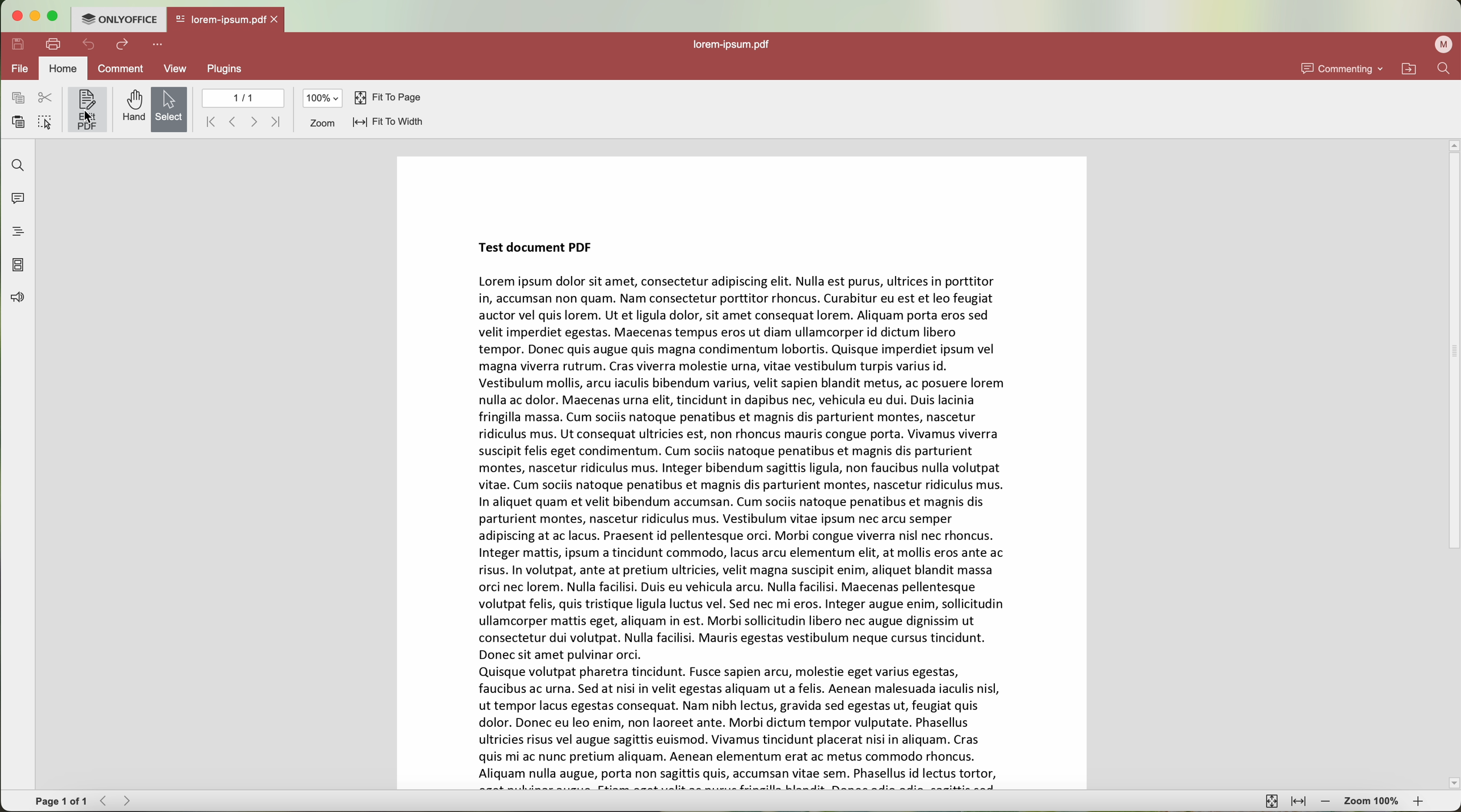 Image resolution: width=1461 pixels, height=812 pixels. Describe the element at coordinates (19, 70) in the screenshot. I see `file` at that location.